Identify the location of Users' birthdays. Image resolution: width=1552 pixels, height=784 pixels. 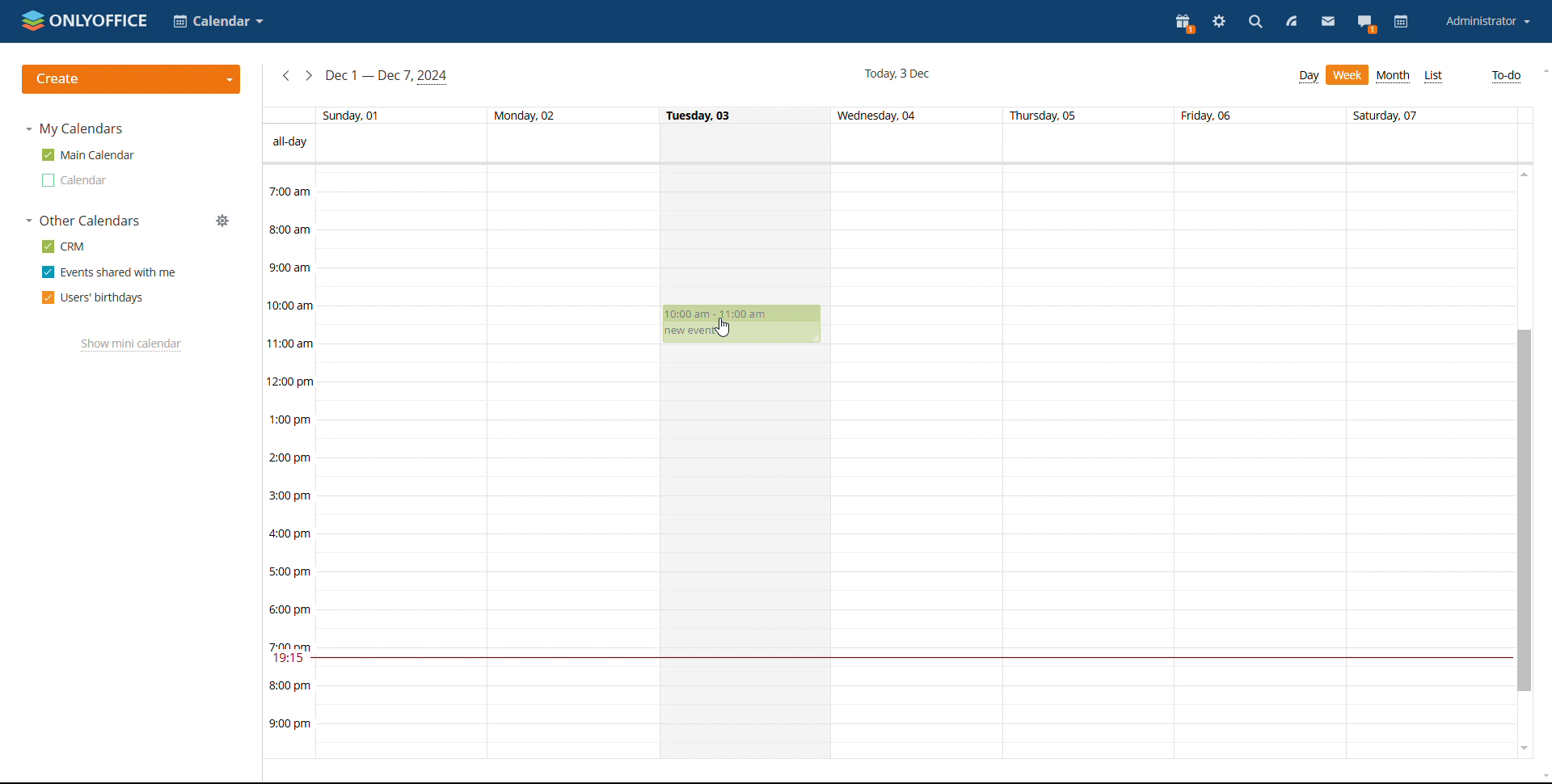
(91, 297).